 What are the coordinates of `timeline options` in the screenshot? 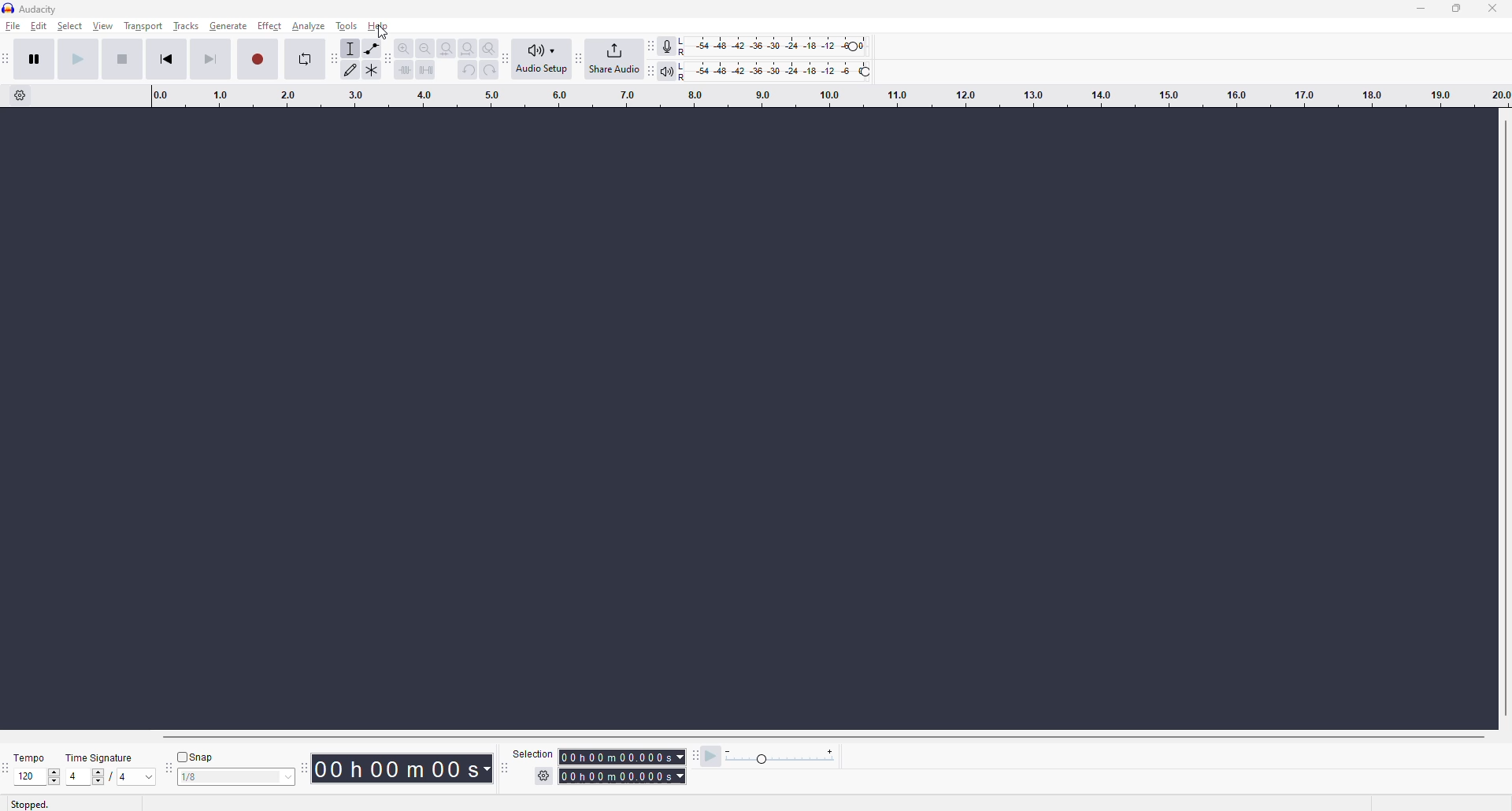 It's located at (24, 96).